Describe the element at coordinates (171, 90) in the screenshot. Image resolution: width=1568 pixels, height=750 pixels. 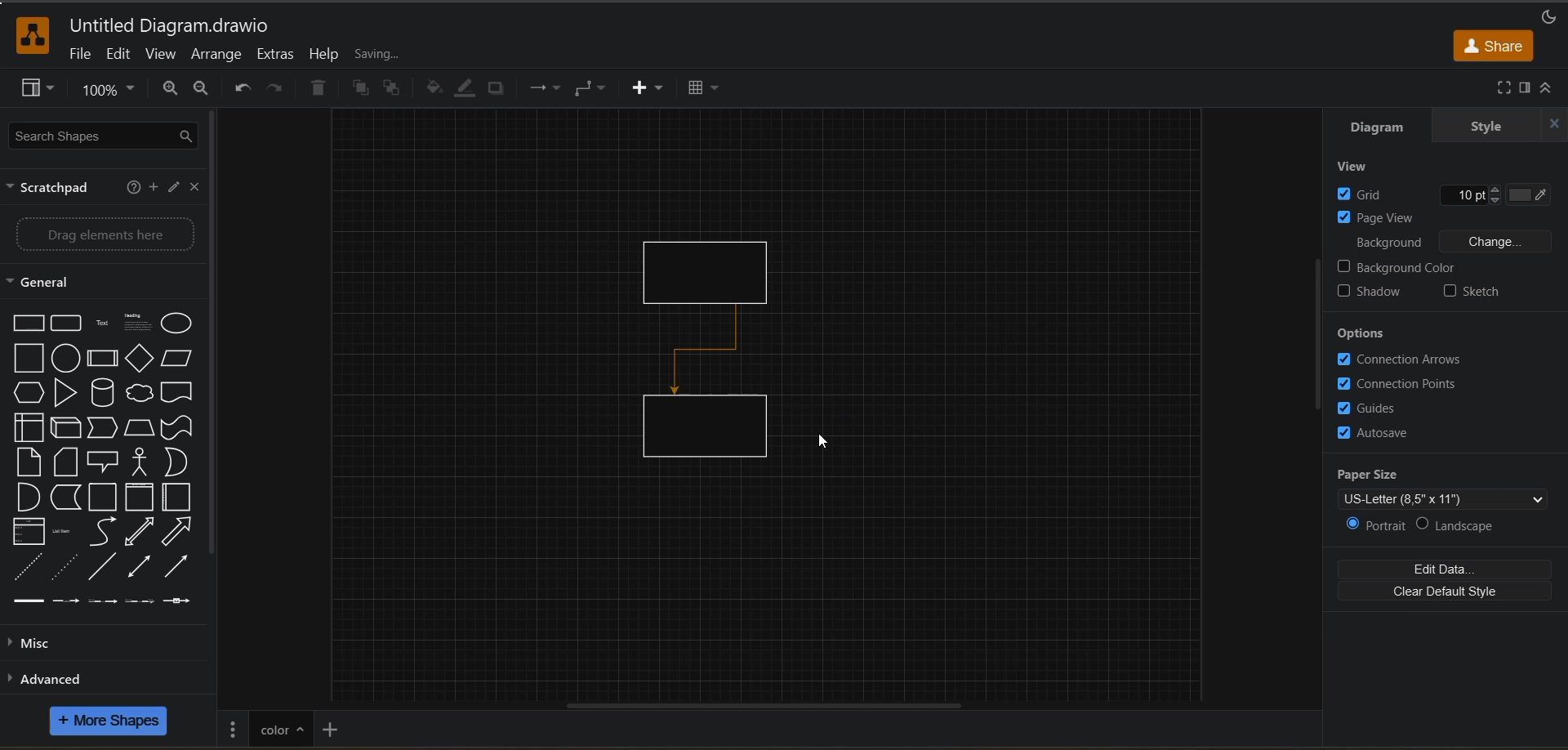
I see `zoom in` at that location.